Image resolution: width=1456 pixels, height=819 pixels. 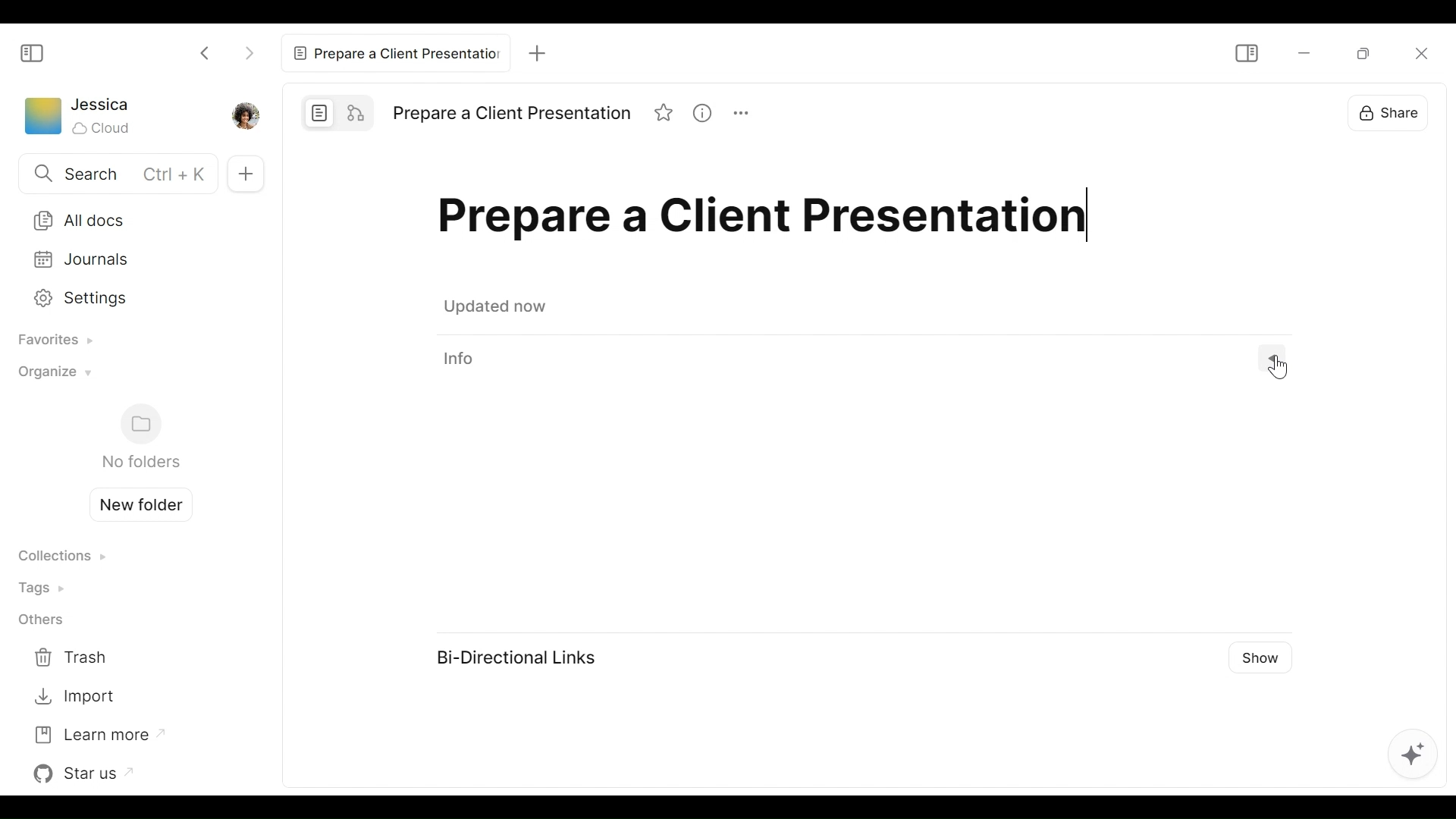 I want to click on View Information, so click(x=708, y=115).